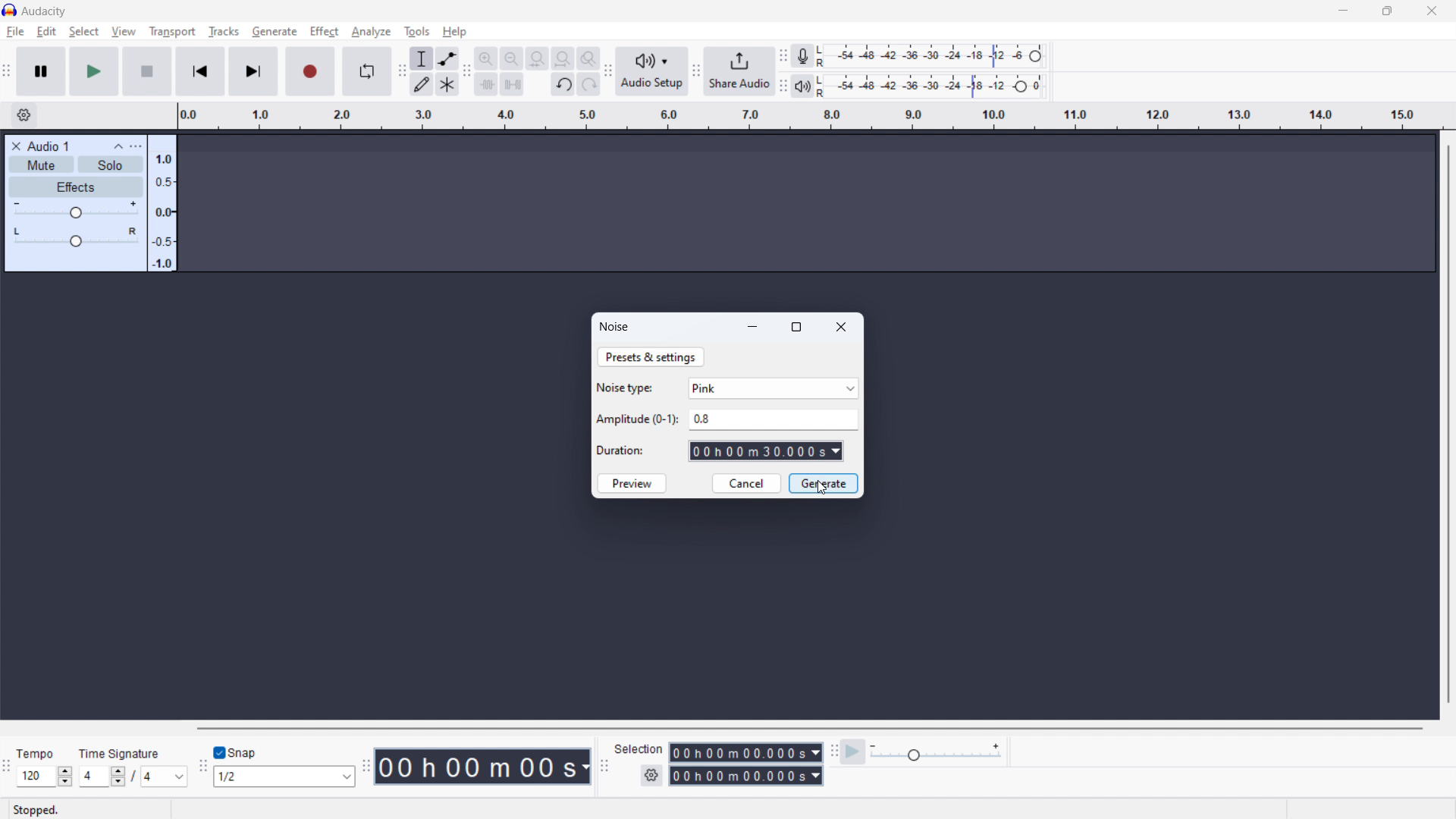 This screenshot has width=1456, height=819. I want to click on tools, so click(417, 30).